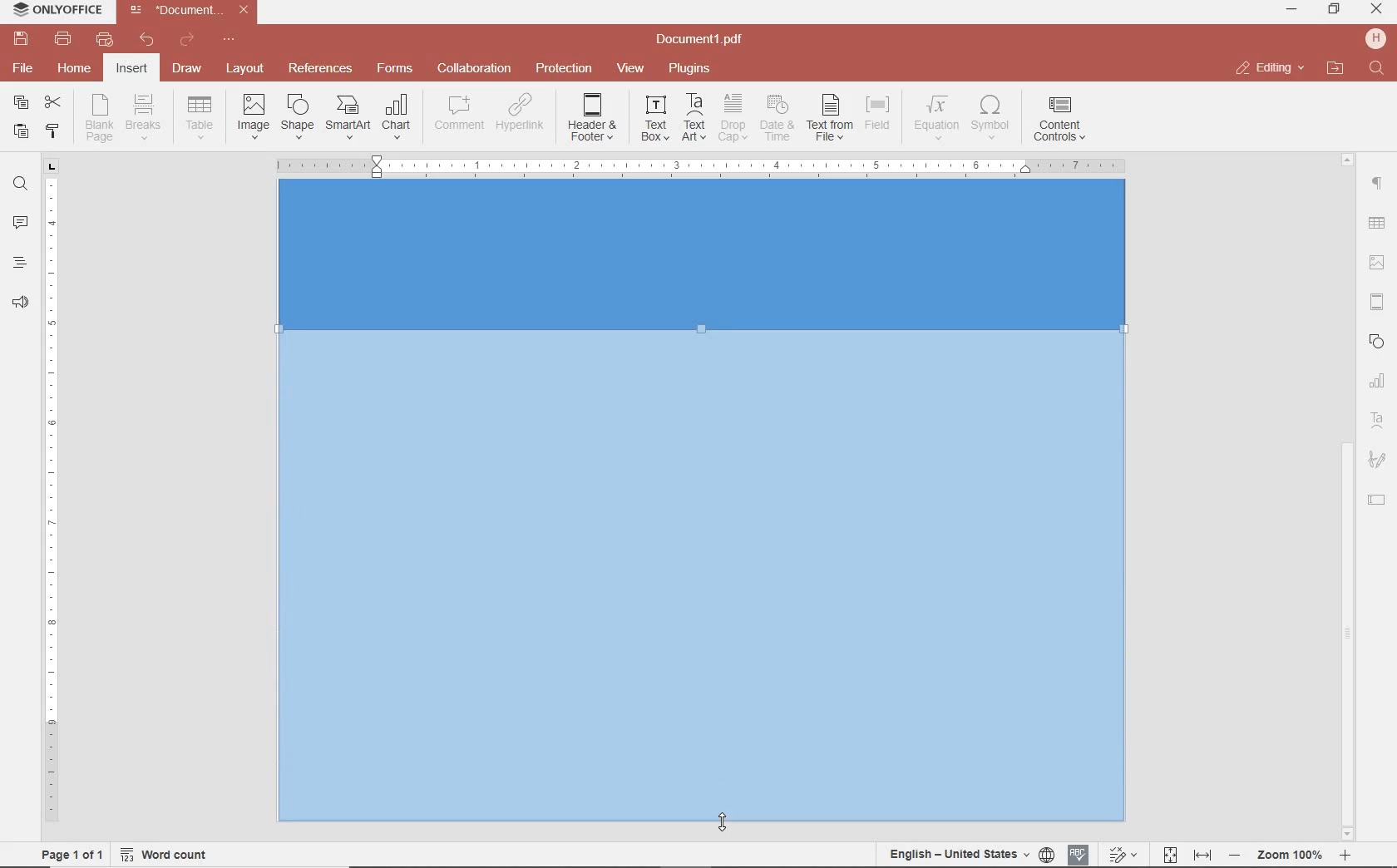 The width and height of the screenshot is (1397, 868). Describe the element at coordinates (52, 104) in the screenshot. I see `cut` at that location.